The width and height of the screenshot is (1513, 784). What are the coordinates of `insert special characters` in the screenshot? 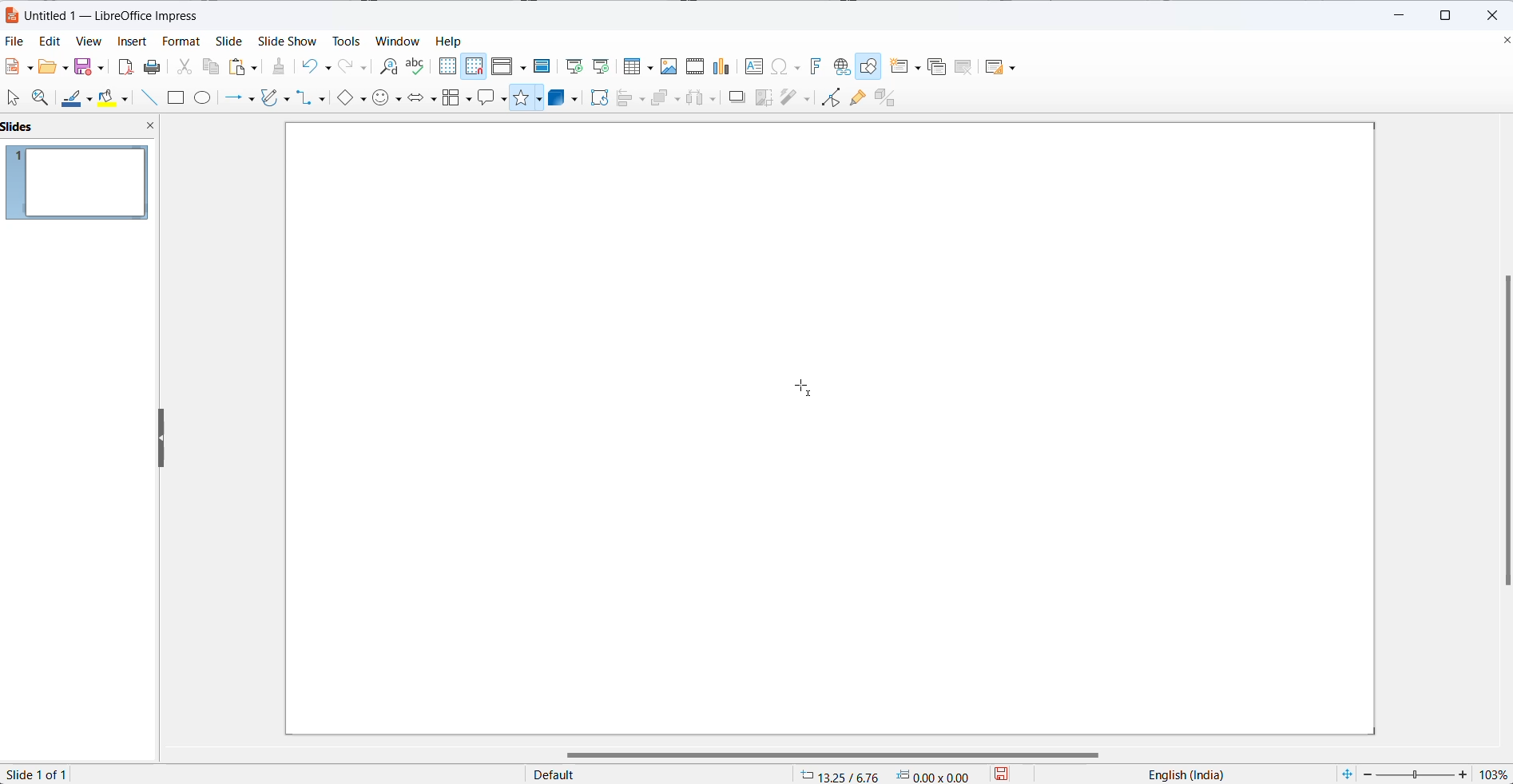 It's located at (785, 66).